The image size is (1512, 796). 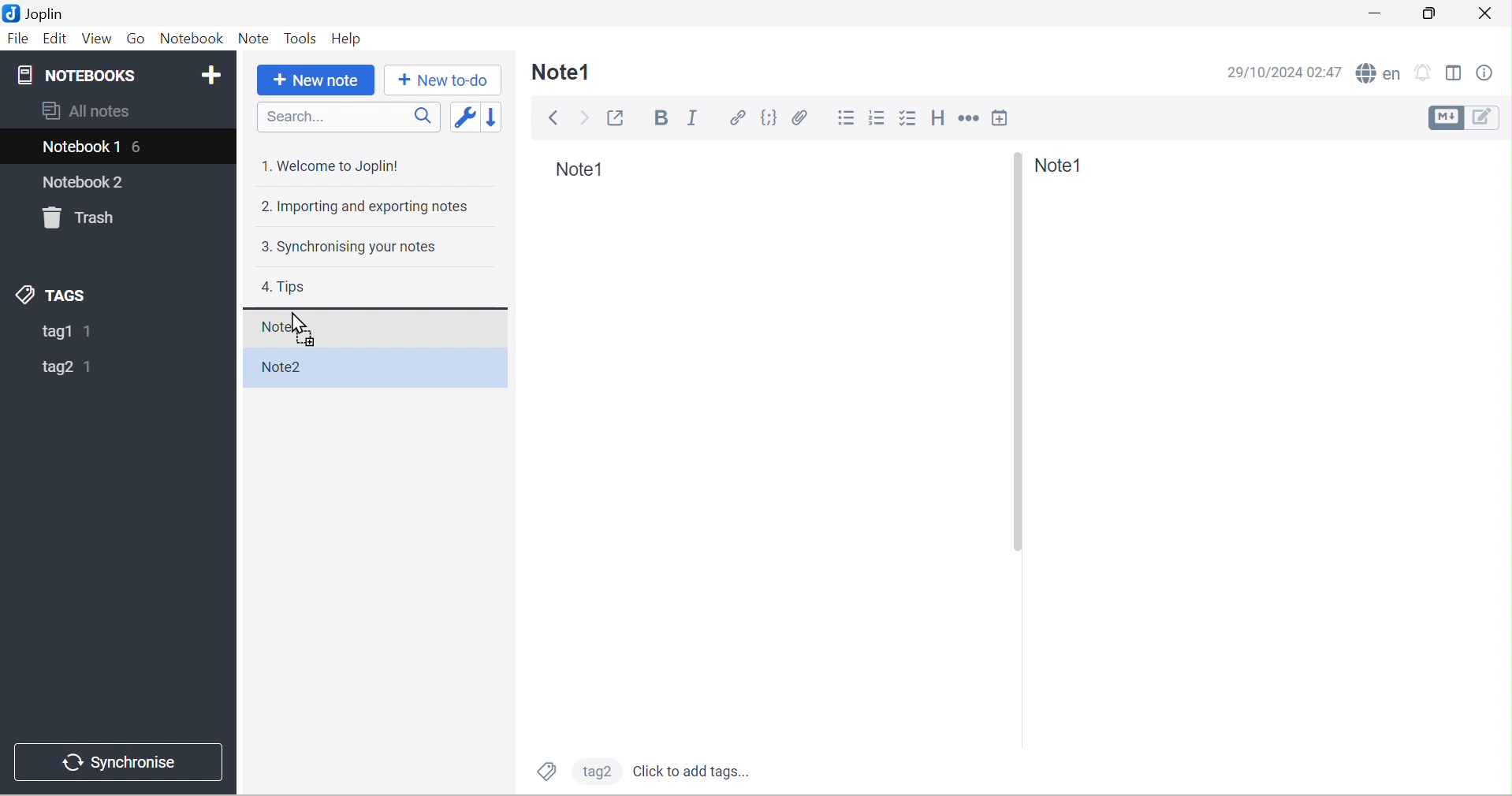 What do you see at coordinates (1378, 75) in the screenshot?
I see `Spell checker` at bounding box center [1378, 75].